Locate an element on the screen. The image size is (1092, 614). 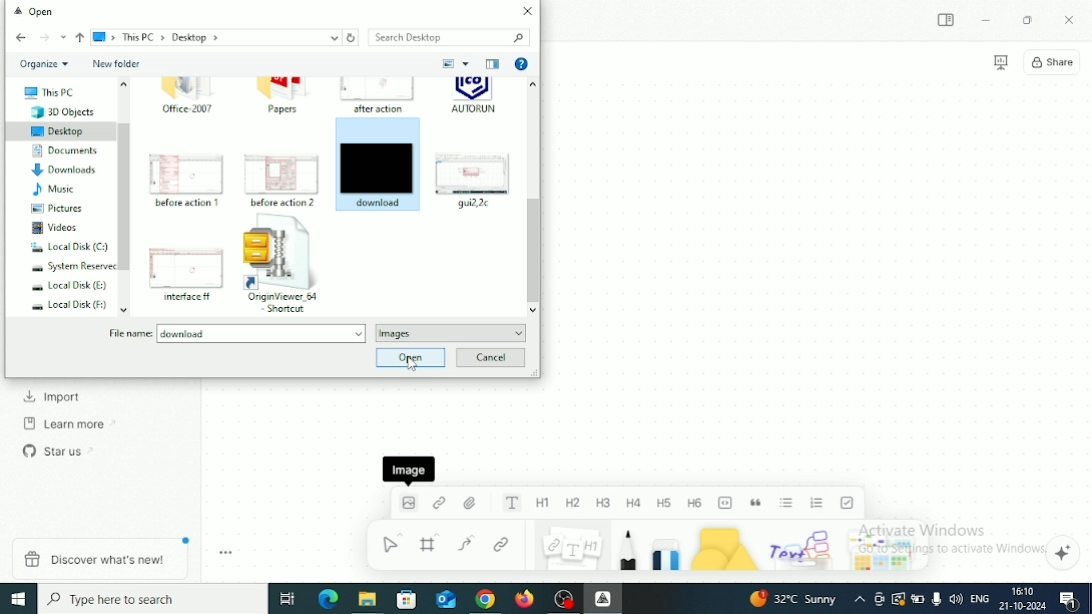
File Explorer is located at coordinates (366, 600).